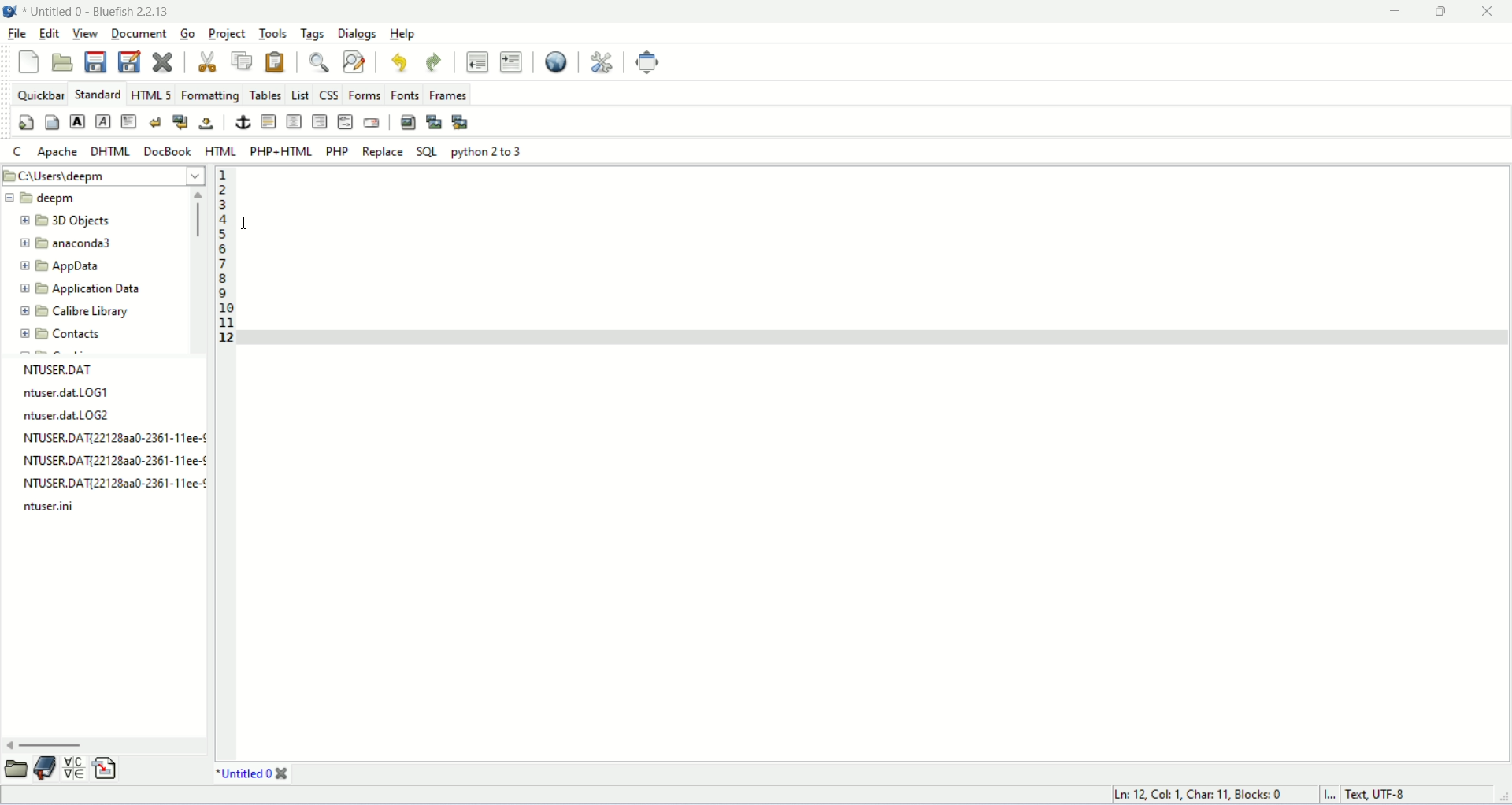 The width and height of the screenshot is (1512, 805). I want to click on list, so click(300, 96).